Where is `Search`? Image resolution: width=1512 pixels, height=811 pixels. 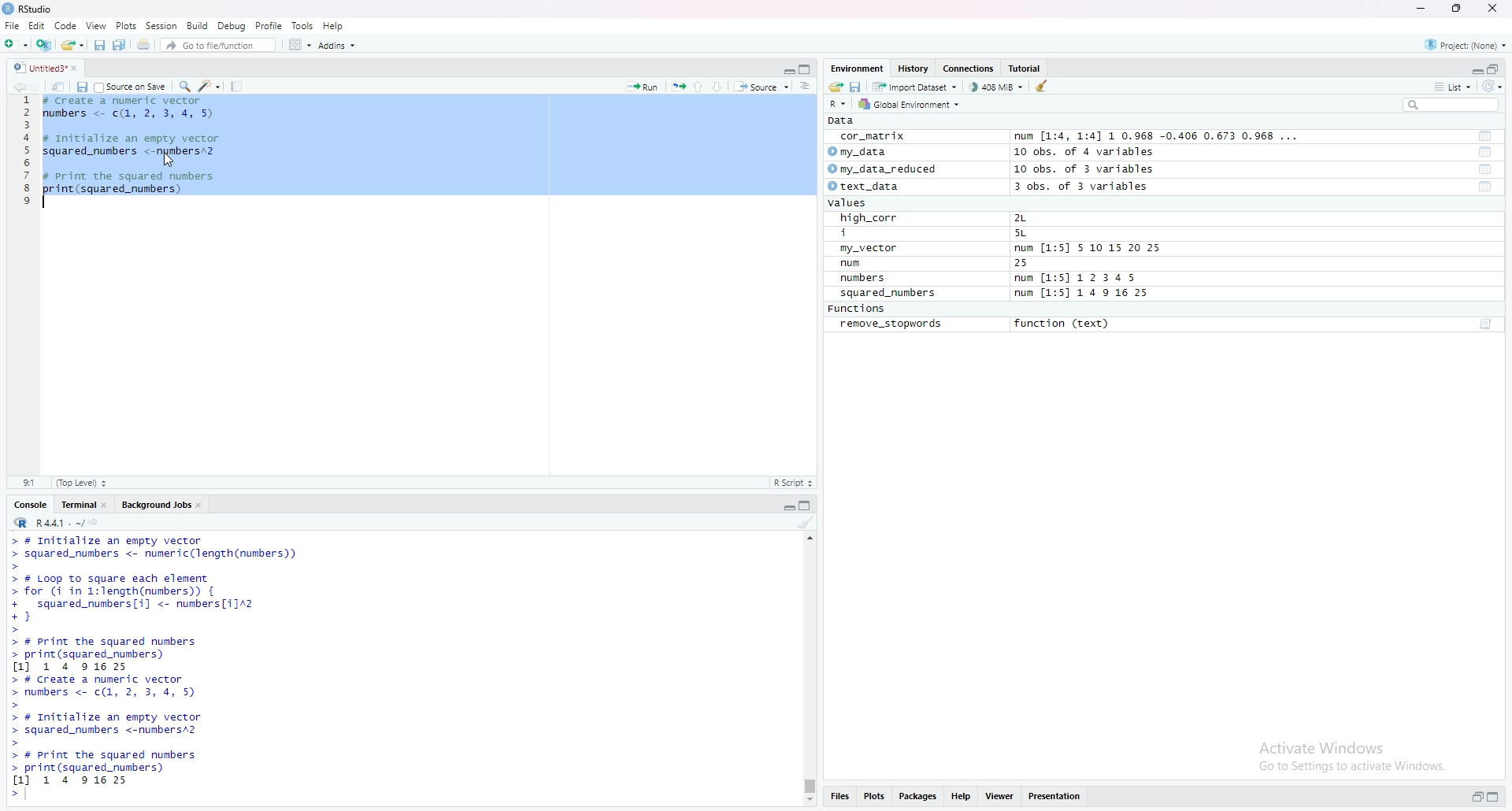
Search is located at coordinates (1451, 105).